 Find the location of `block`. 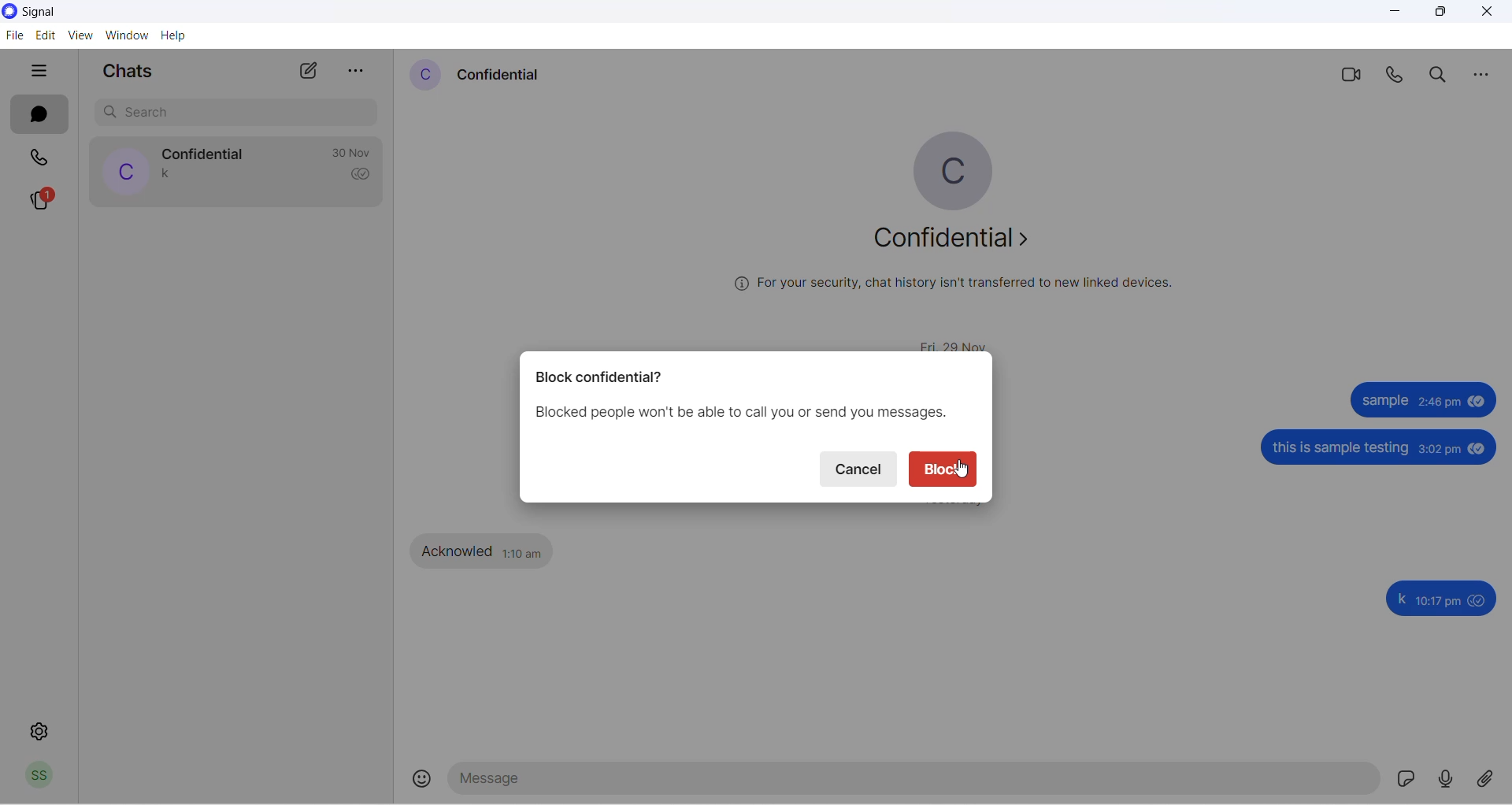

block is located at coordinates (944, 467).